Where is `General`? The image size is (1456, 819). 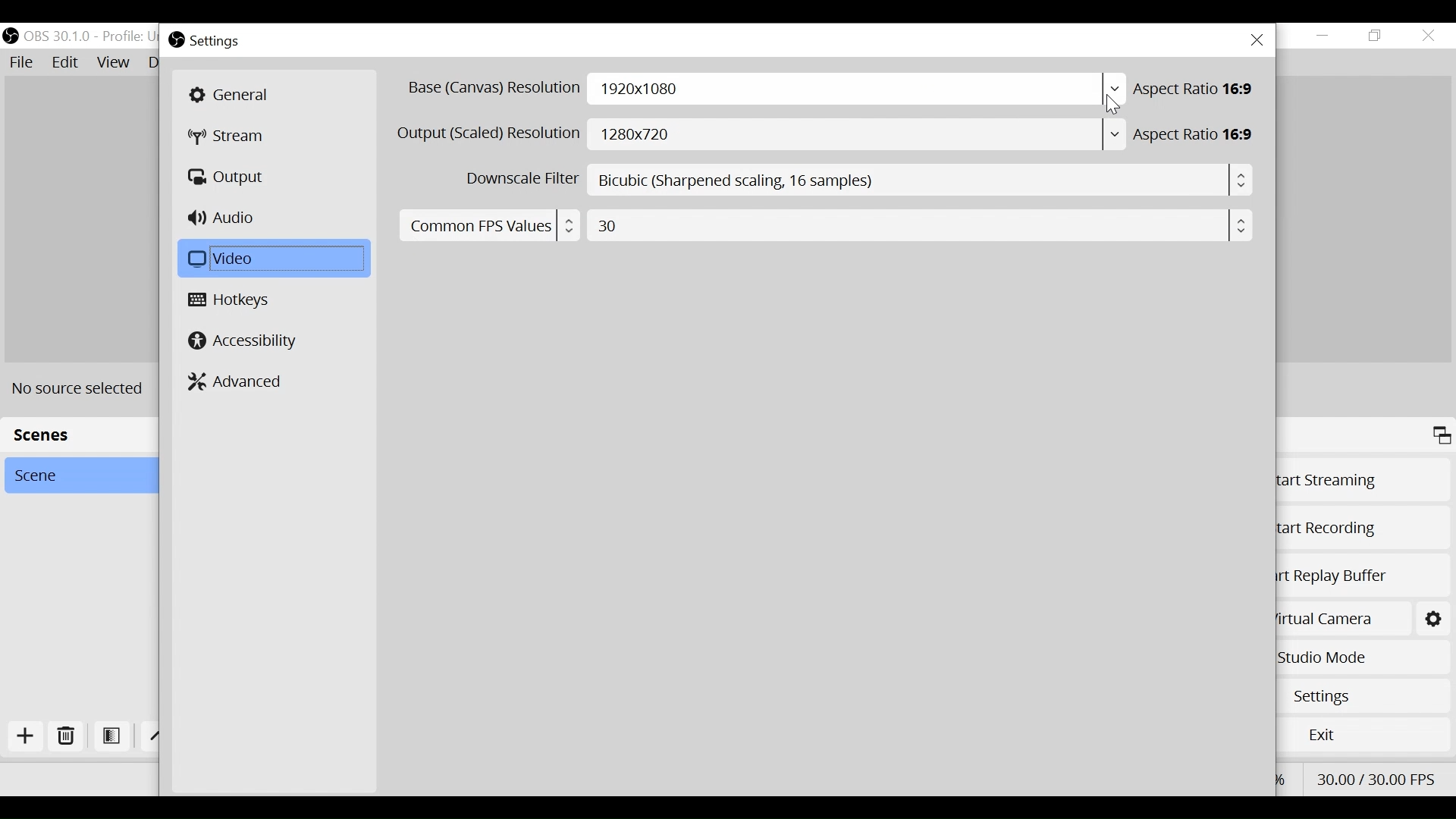
General is located at coordinates (272, 95).